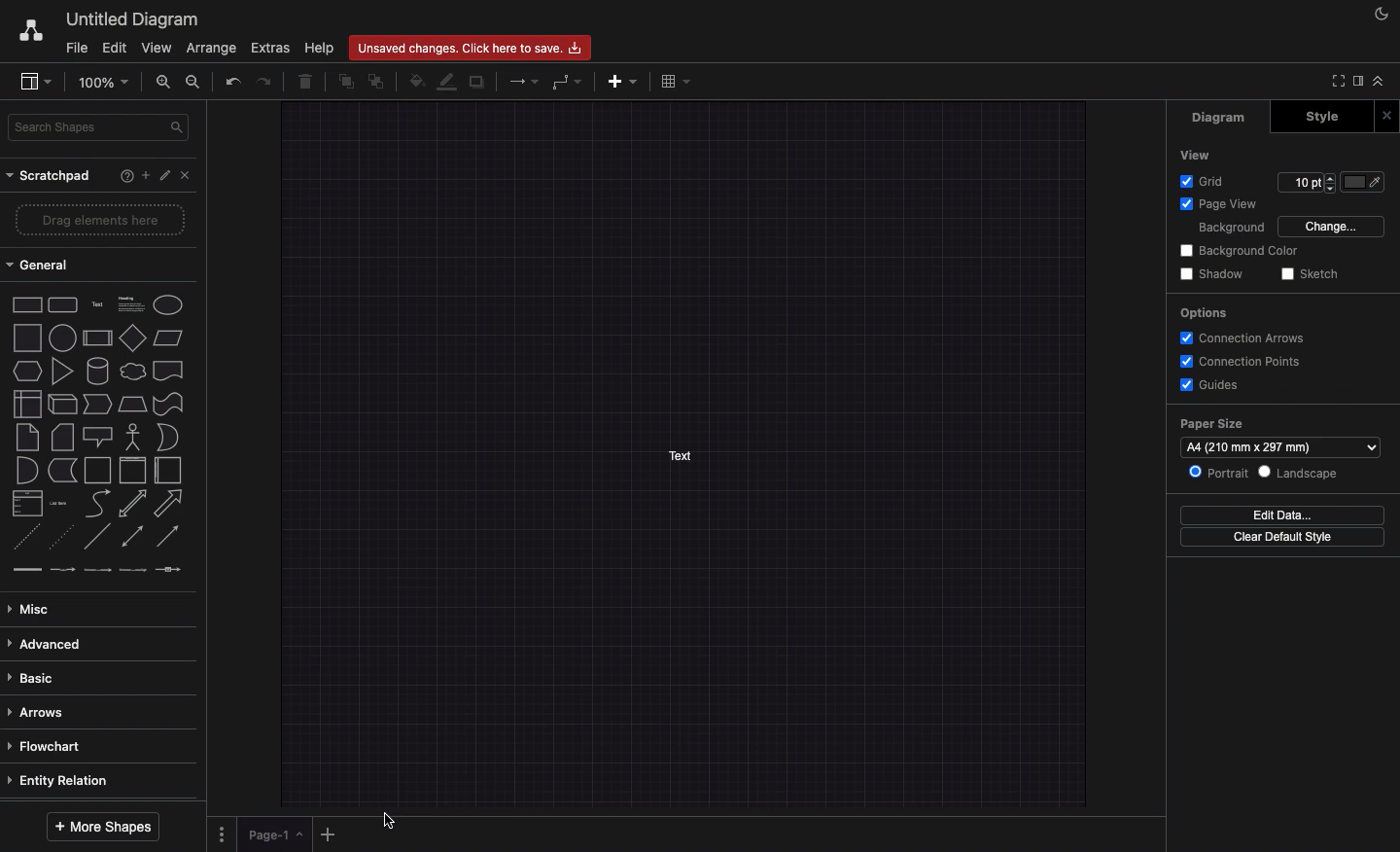 This screenshot has height=852, width=1400. What do you see at coordinates (36, 606) in the screenshot?
I see `Mis` at bounding box center [36, 606].